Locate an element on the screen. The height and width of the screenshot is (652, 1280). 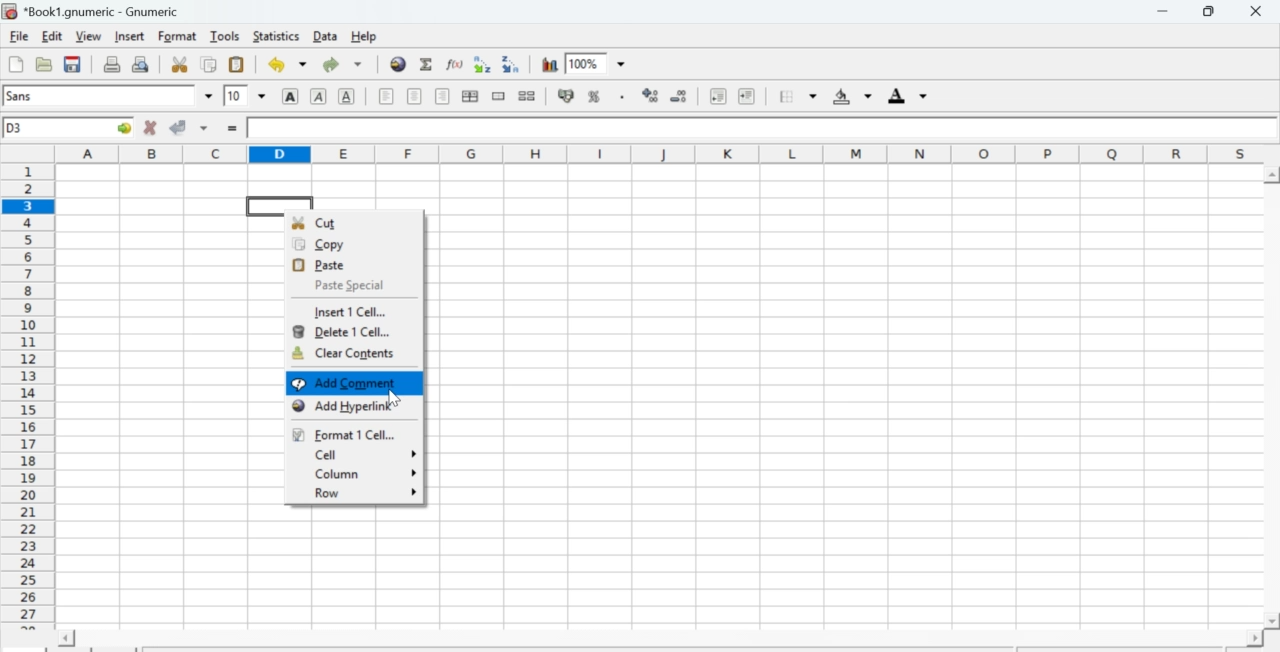
Paste Special is located at coordinates (346, 285).